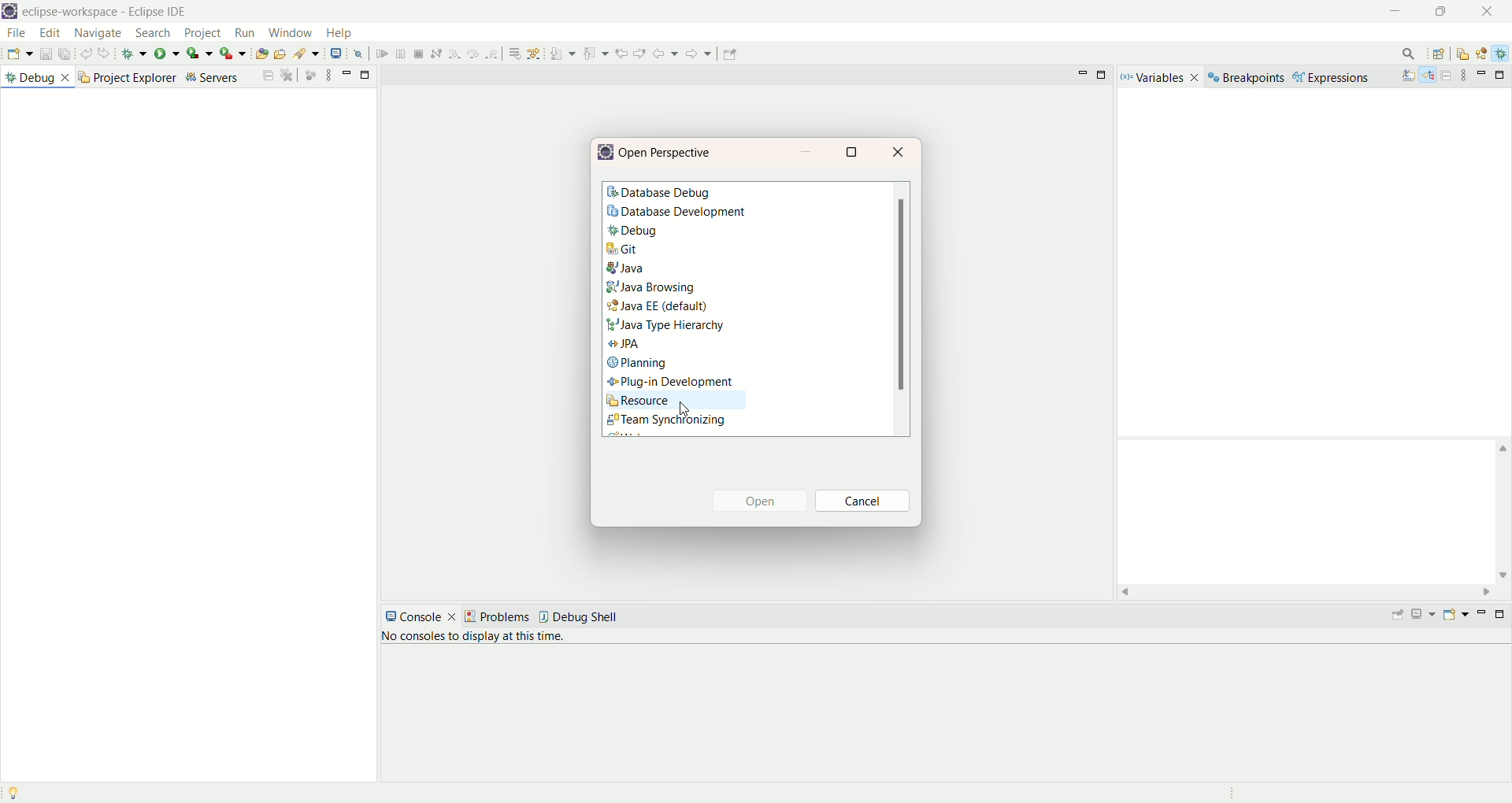 The height and width of the screenshot is (803, 1512). What do you see at coordinates (622, 249) in the screenshot?
I see `git` at bounding box center [622, 249].